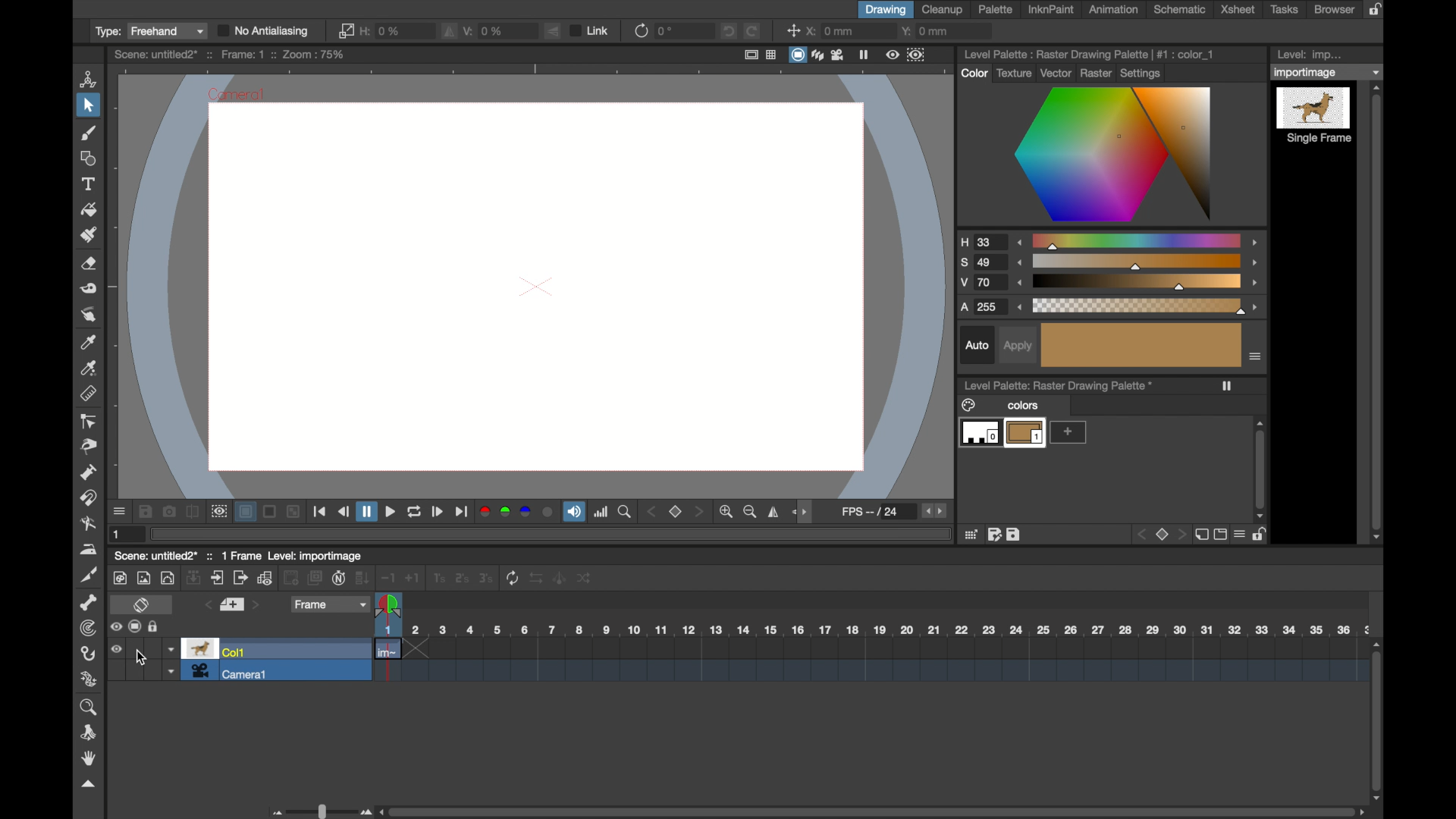 This screenshot has width=1456, height=819. I want to click on scale, so click(1139, 306).